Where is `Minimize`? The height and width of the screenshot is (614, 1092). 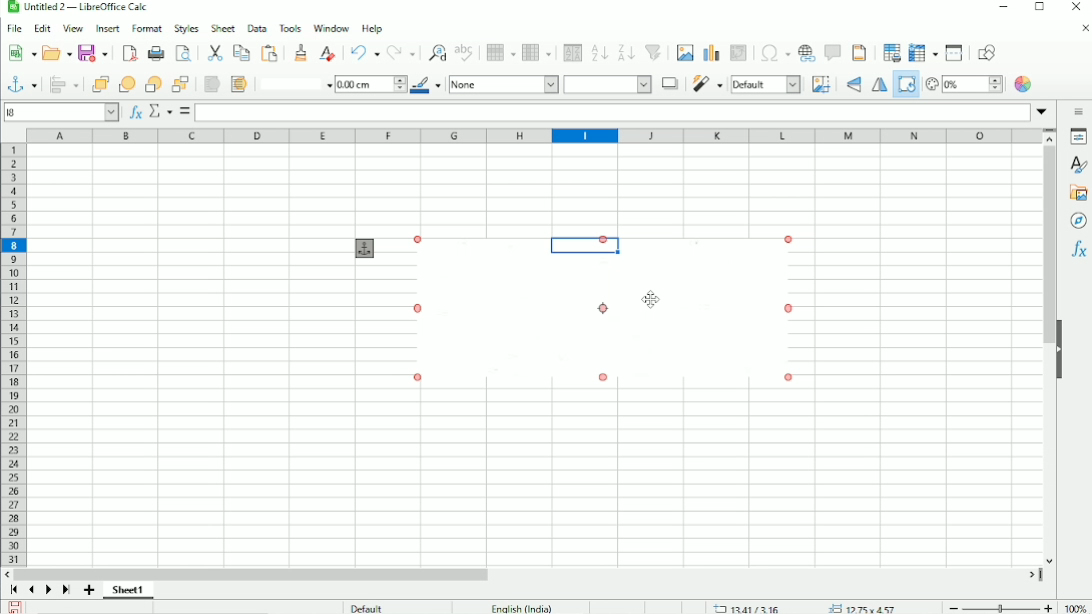
Minimize is located at coordinates (1001, 6).